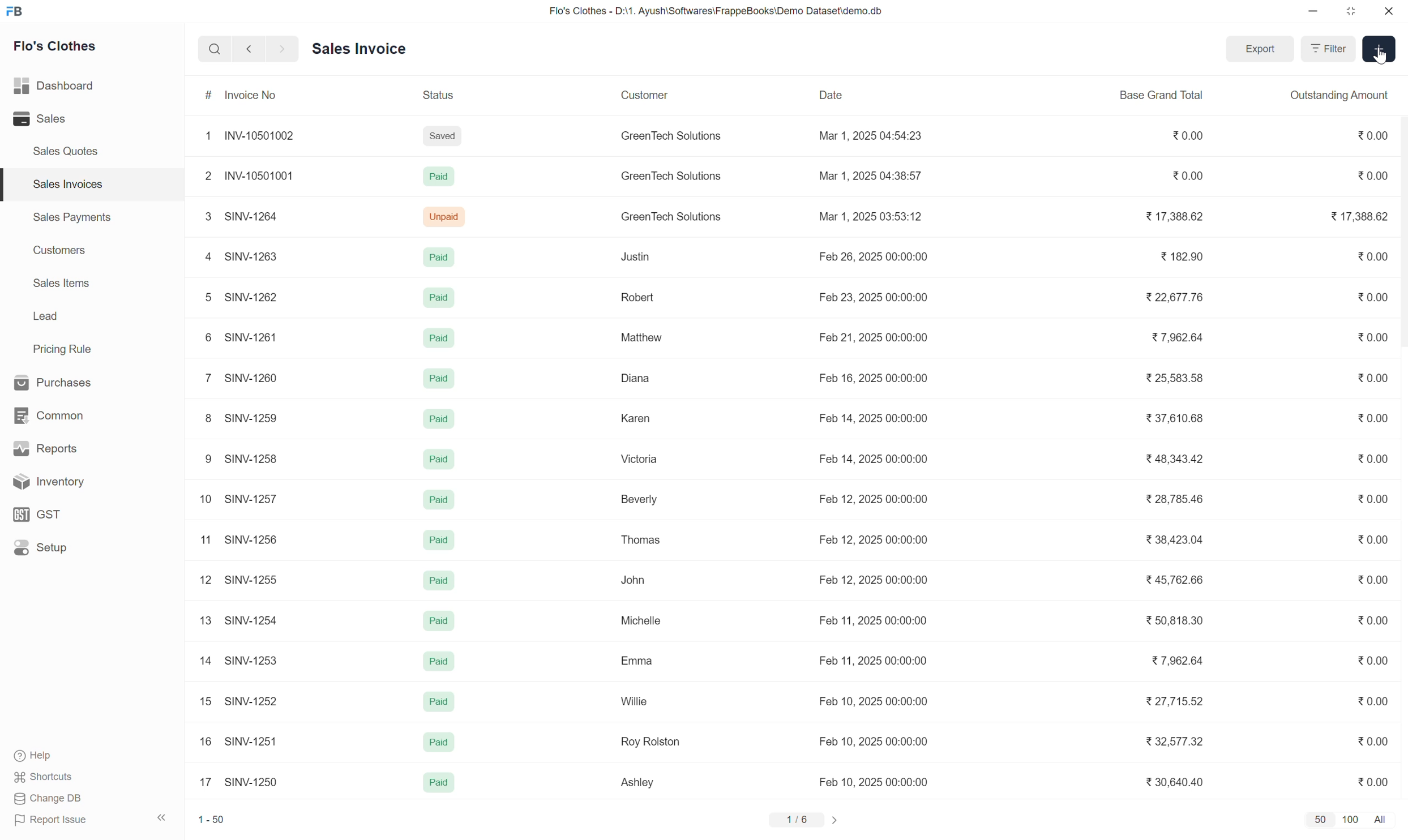 The width and height of the screenshot is (1408, 840). I want to click on go to 50 page , so click(1320, 820).